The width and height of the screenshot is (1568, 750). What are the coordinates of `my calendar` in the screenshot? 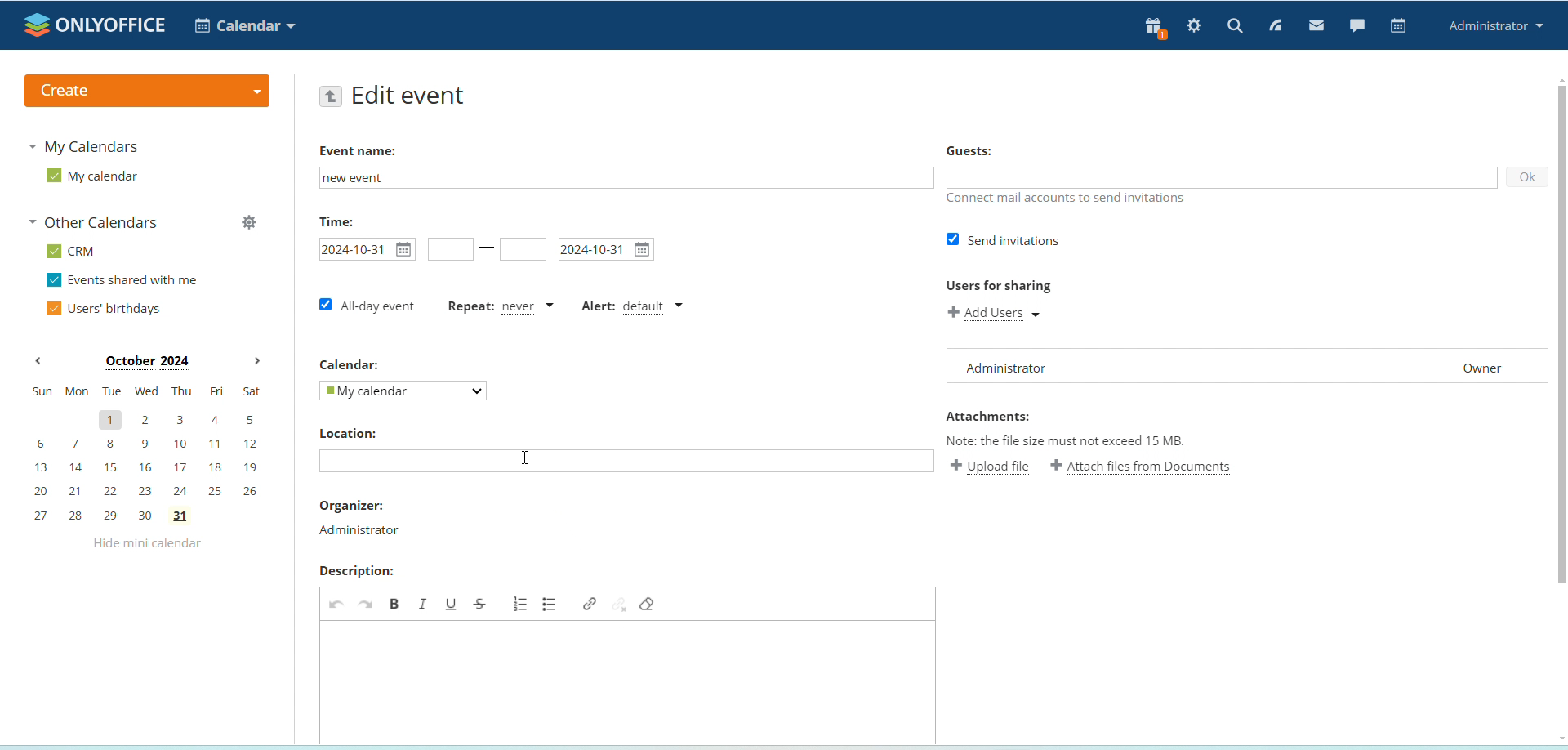 It's located at (92, 176).